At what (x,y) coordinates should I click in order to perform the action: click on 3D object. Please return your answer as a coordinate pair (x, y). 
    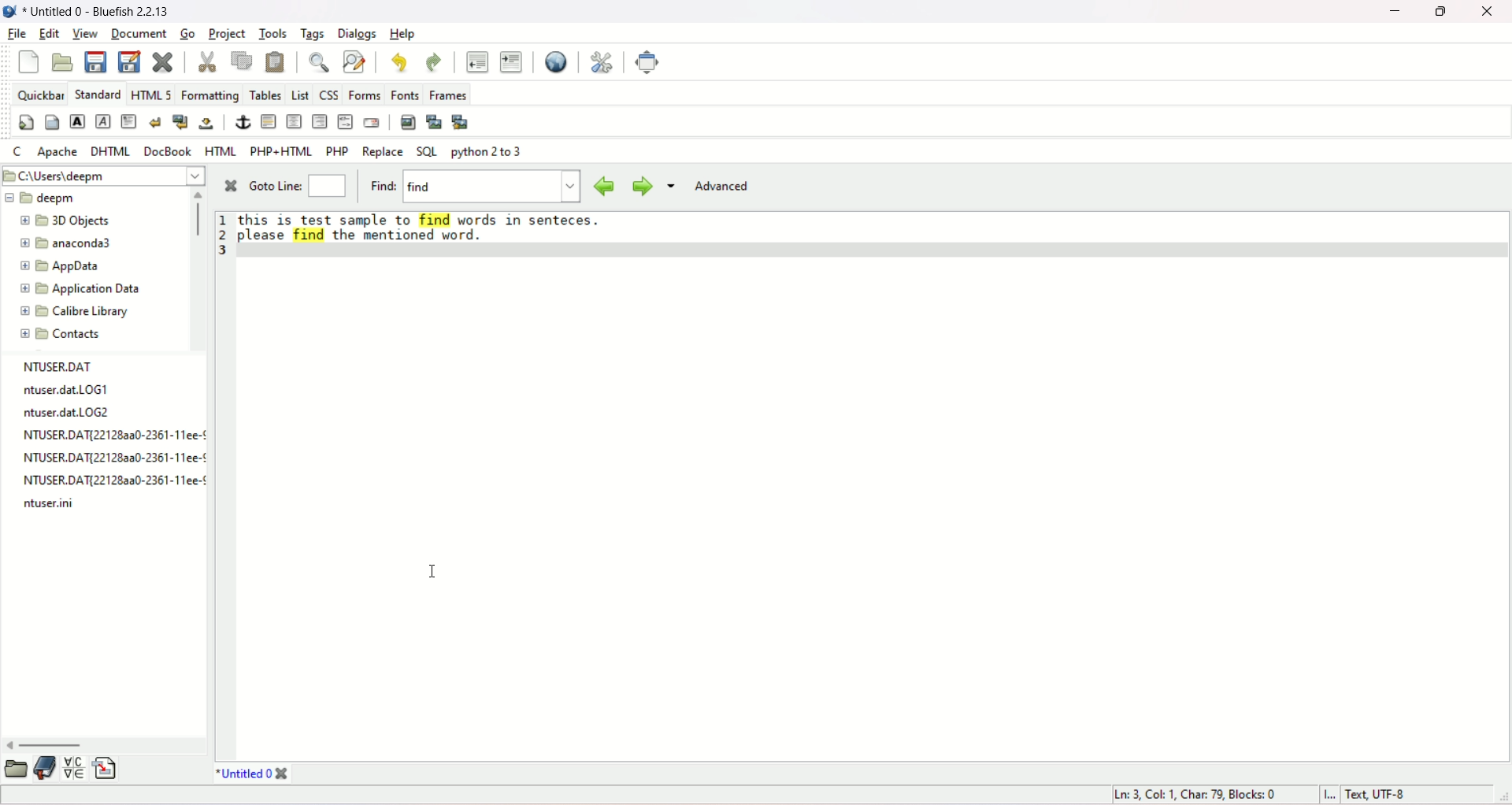
    Looking at the image, I should click on (64, 218).